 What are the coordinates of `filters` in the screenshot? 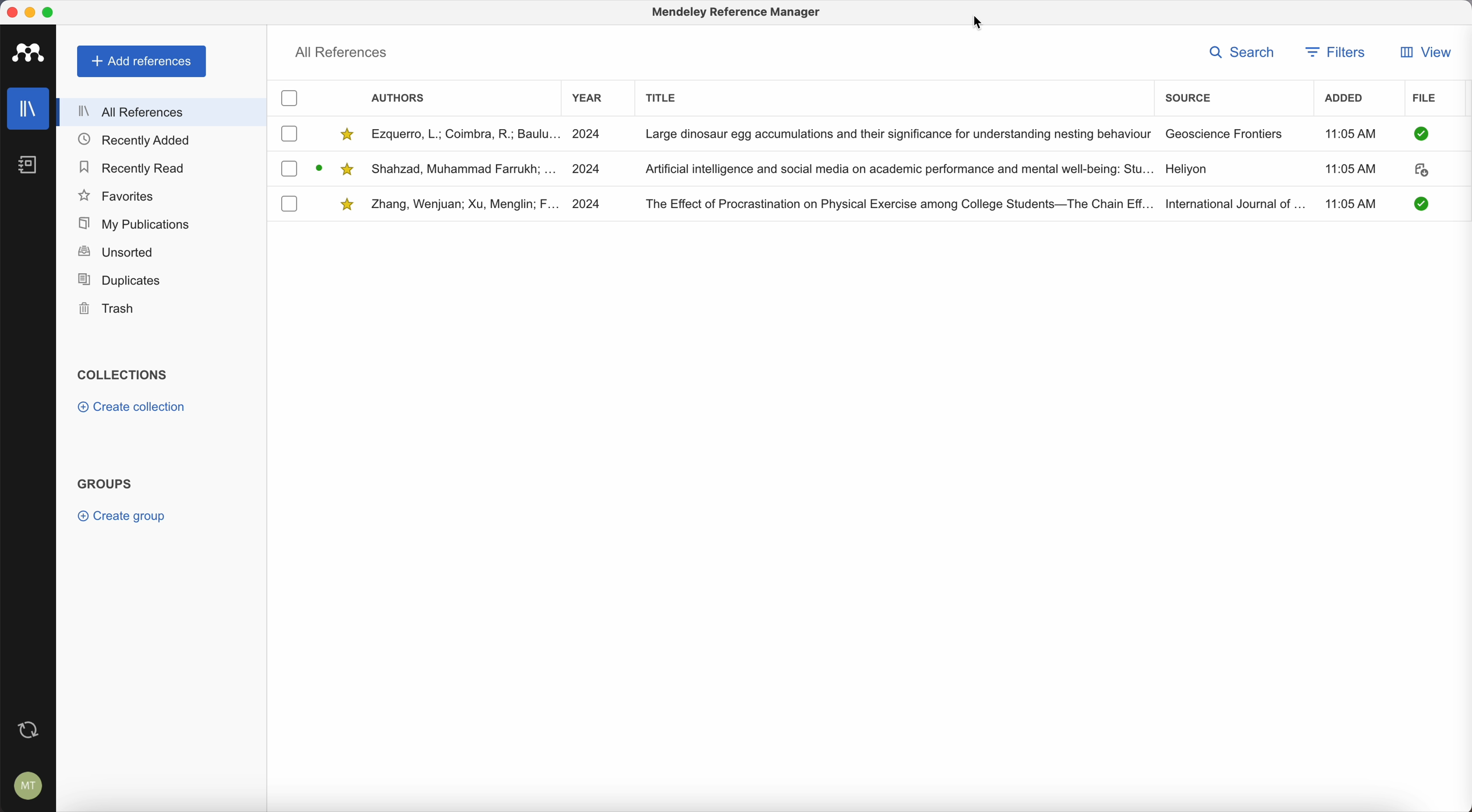 It's located at (1338, 52).